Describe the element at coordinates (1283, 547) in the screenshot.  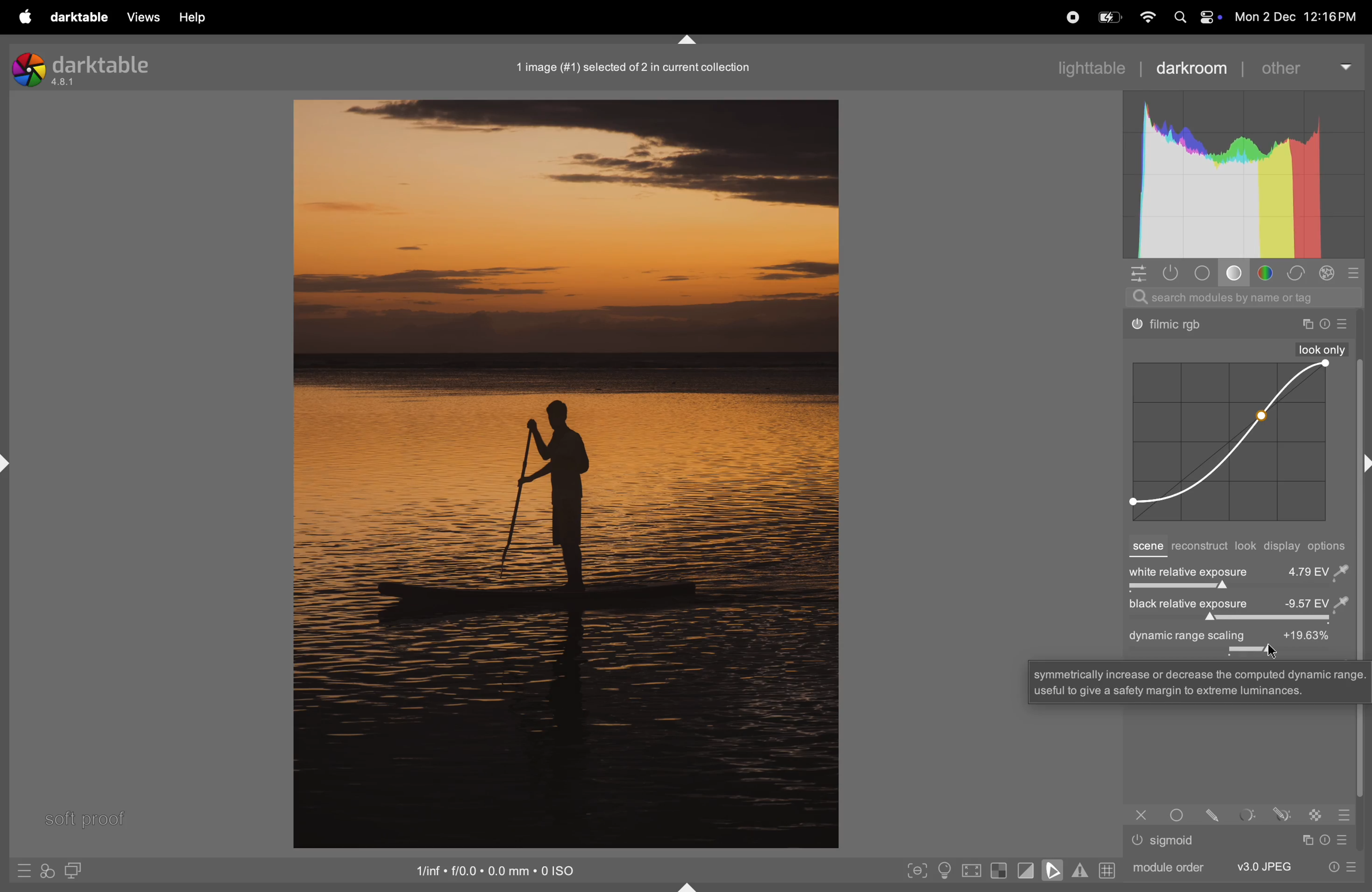
I see `display` at that location.